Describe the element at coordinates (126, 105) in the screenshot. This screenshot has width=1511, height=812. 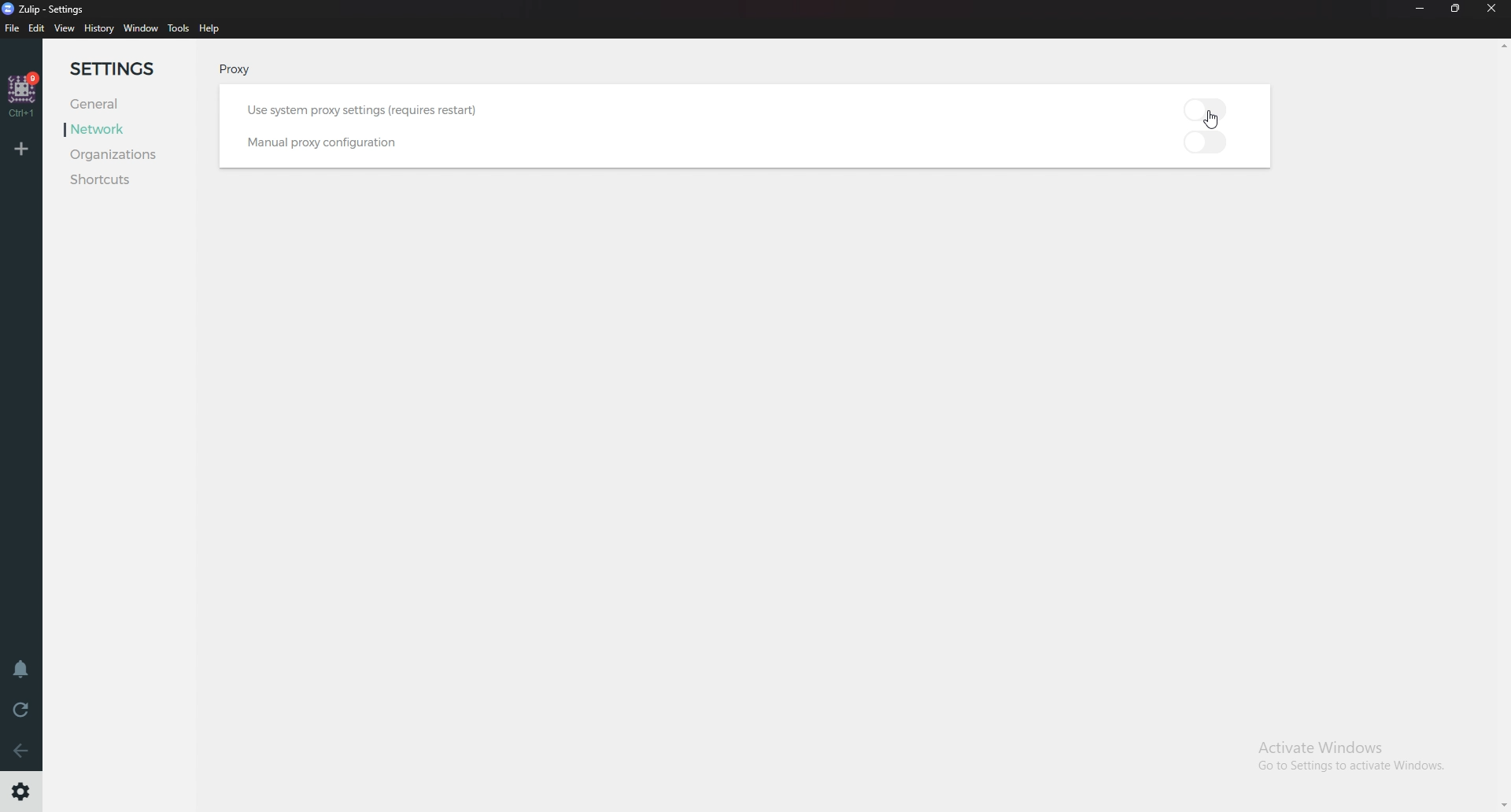
I see `General` at that location.